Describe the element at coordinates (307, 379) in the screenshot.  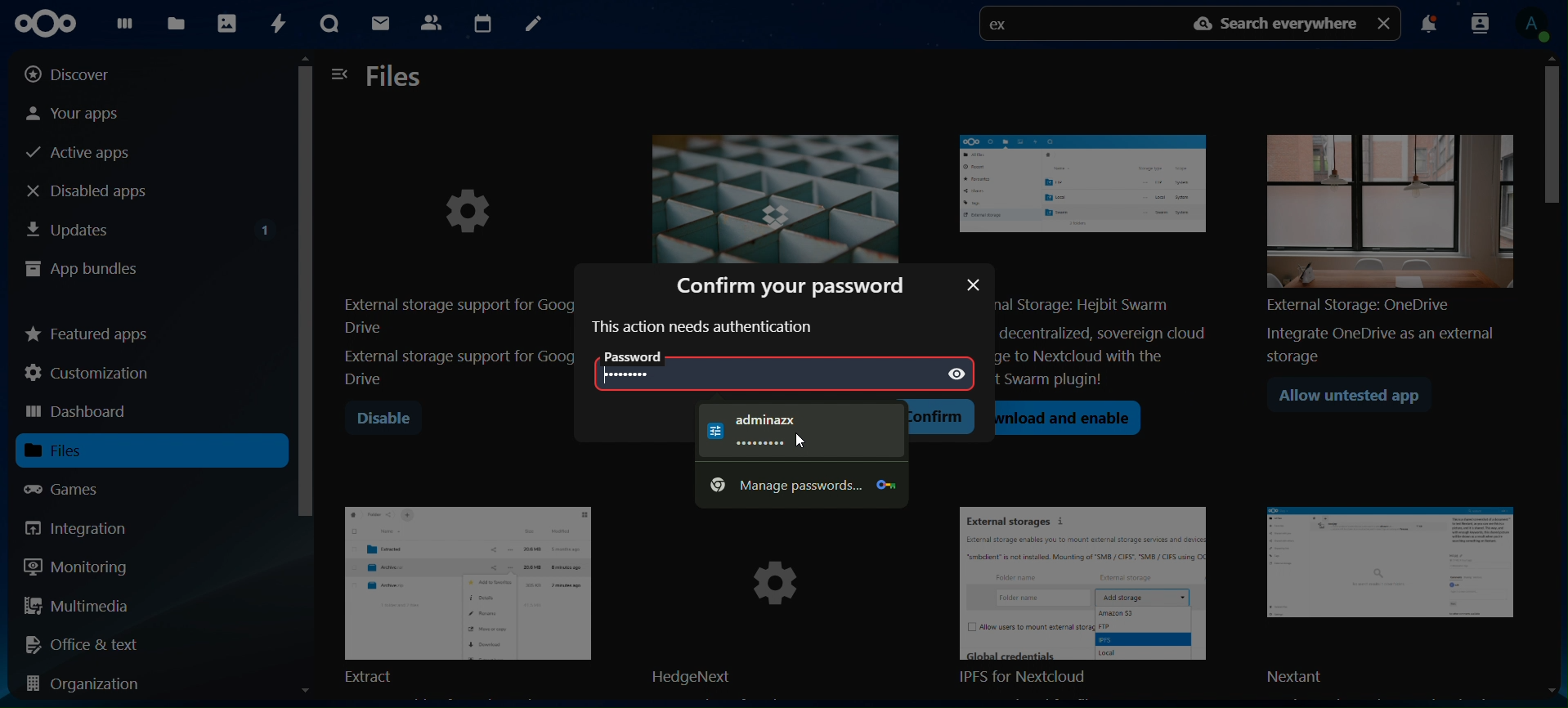
I see `scrollbar` at that location.